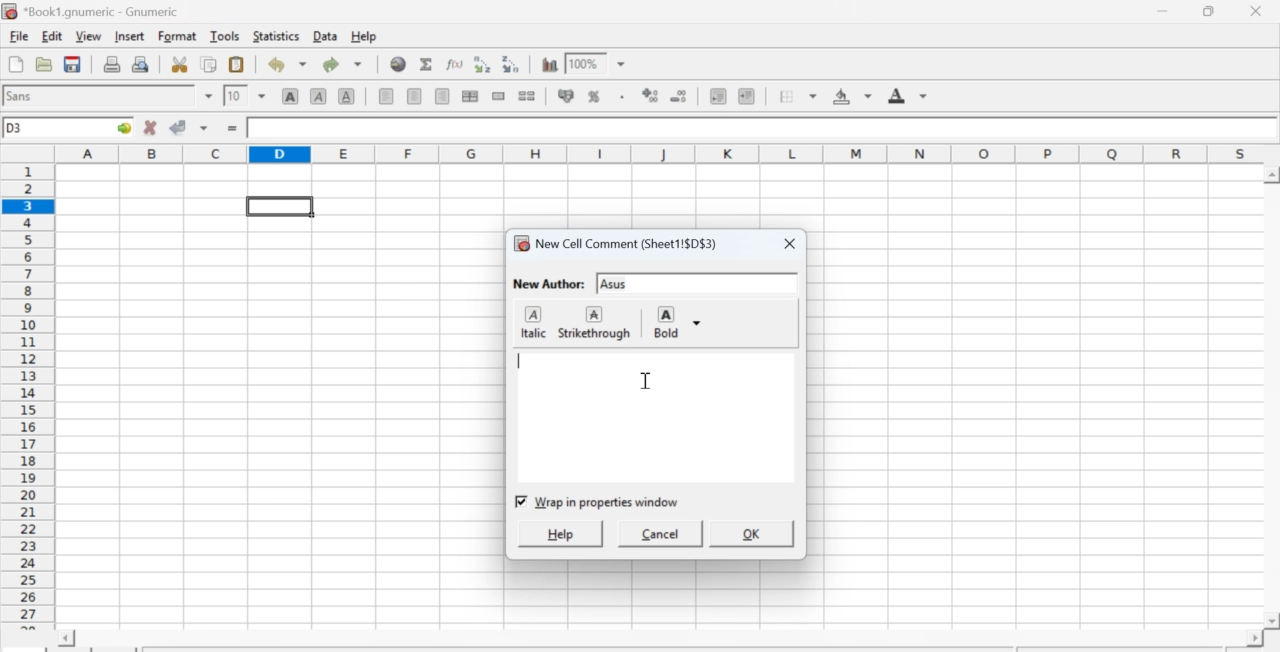 This screenshot has height=652, width=1280. What do you see at coordinates (363, 36) in the screenshot?
I see `Help` at bounding box center [363, 36].